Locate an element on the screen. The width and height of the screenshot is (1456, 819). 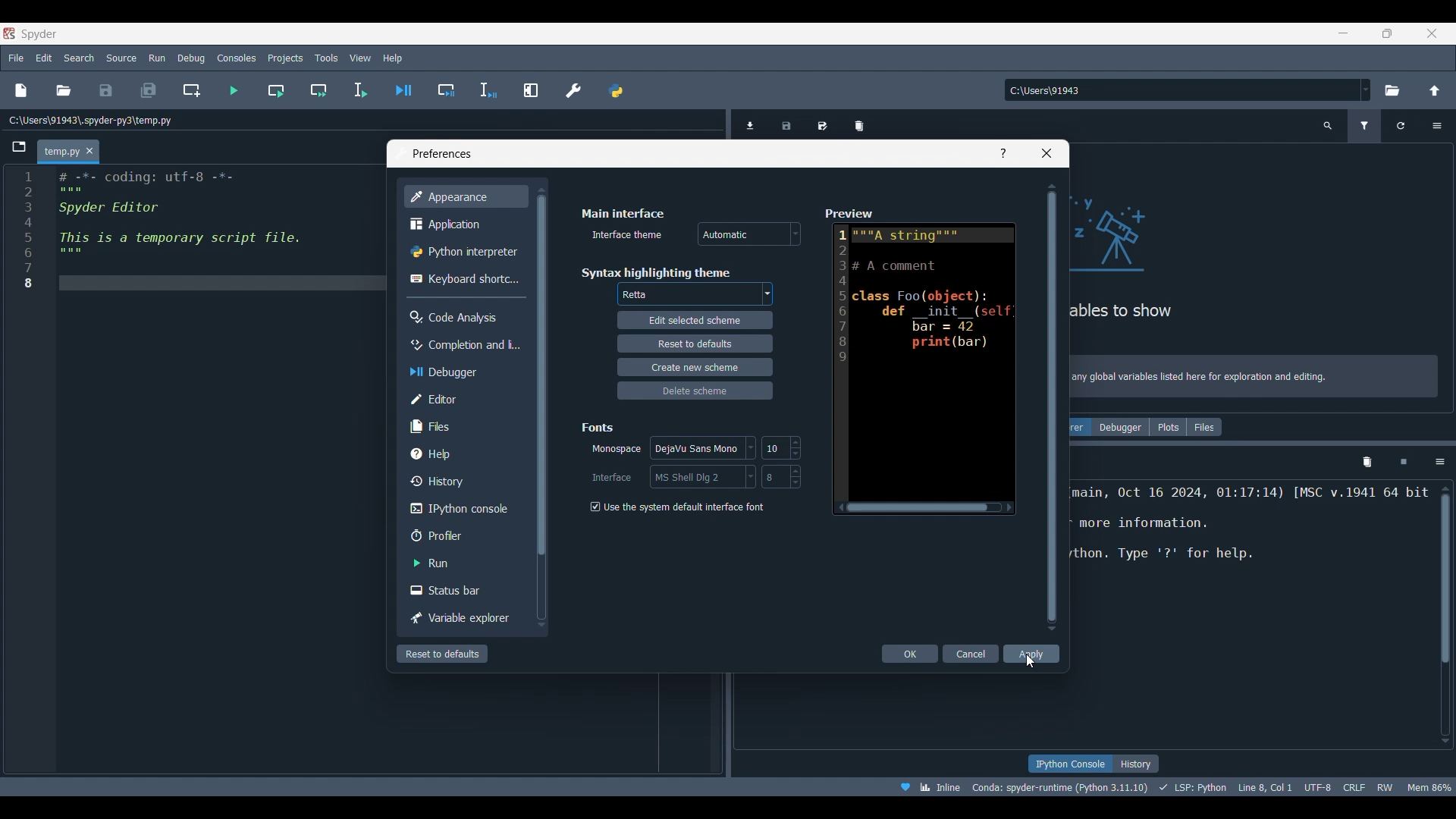
Options is located at coordinates (1436, 126).